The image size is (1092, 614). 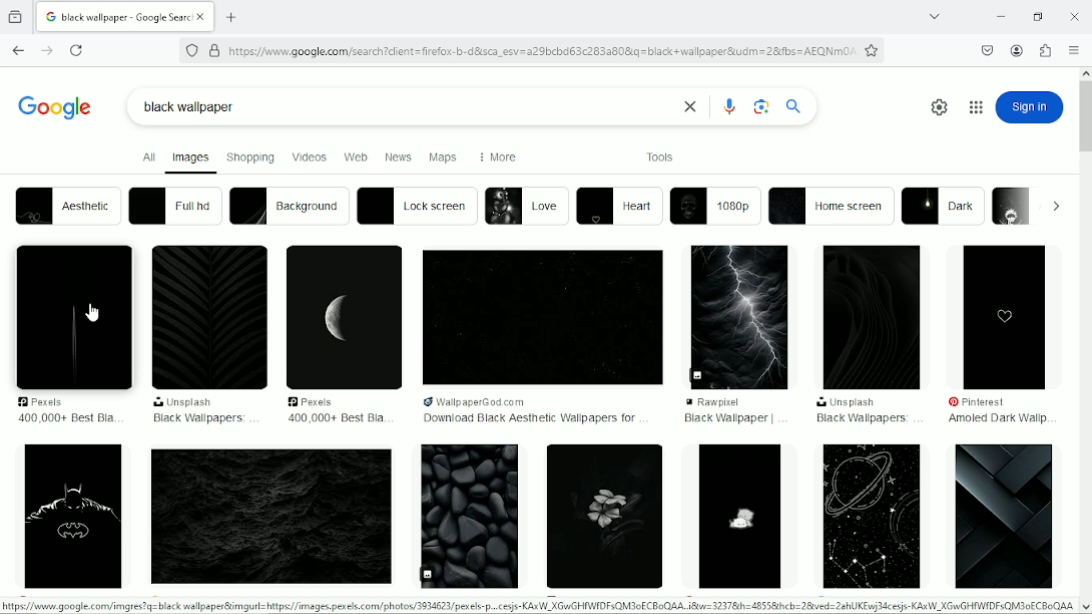 What do you see at coordinates (200, 419) in the screenshot?
I see `black wallpapers` at bounding box center [200, 419].